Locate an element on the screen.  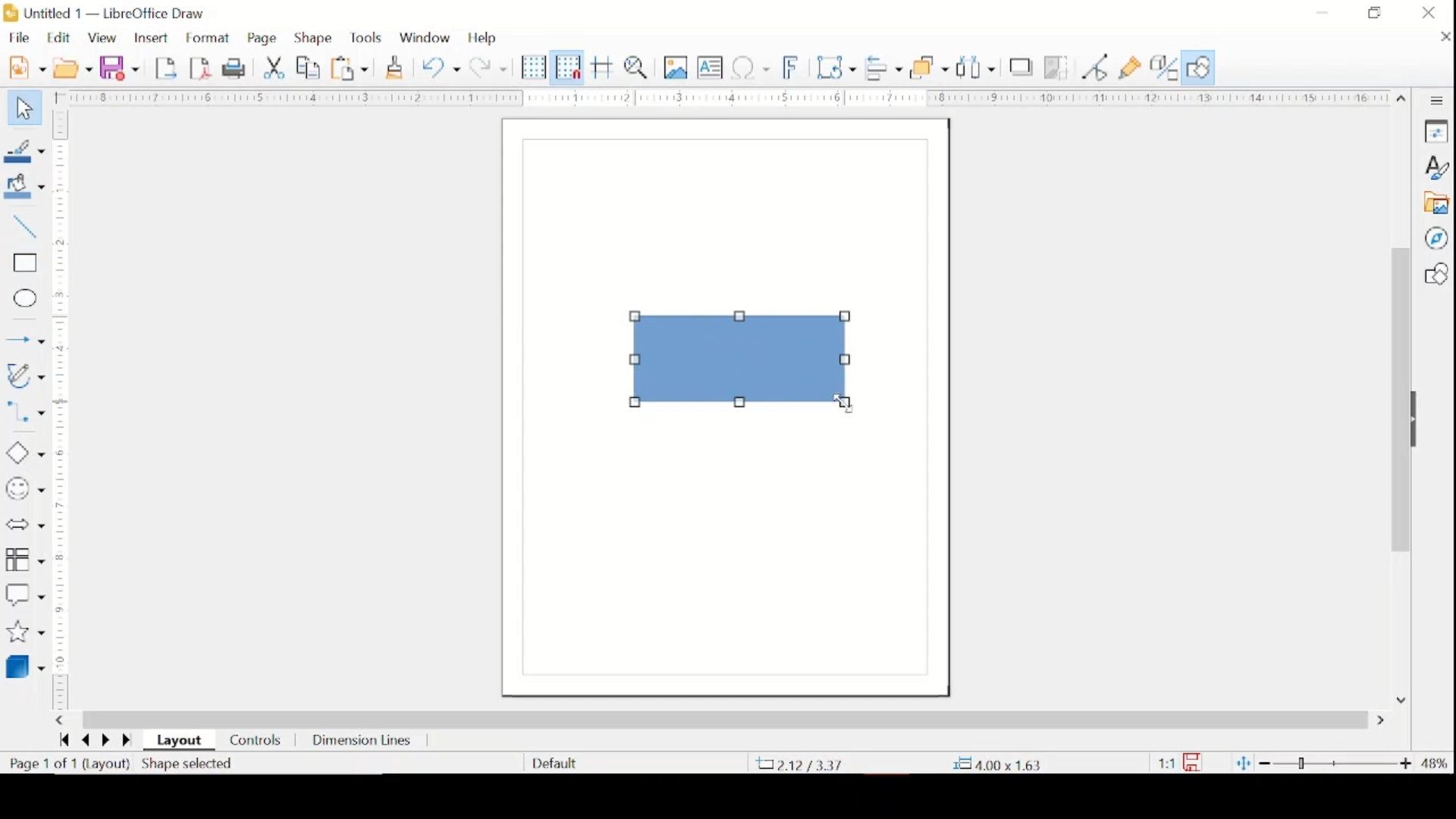
crop image is located at coordinates (1058, 69).